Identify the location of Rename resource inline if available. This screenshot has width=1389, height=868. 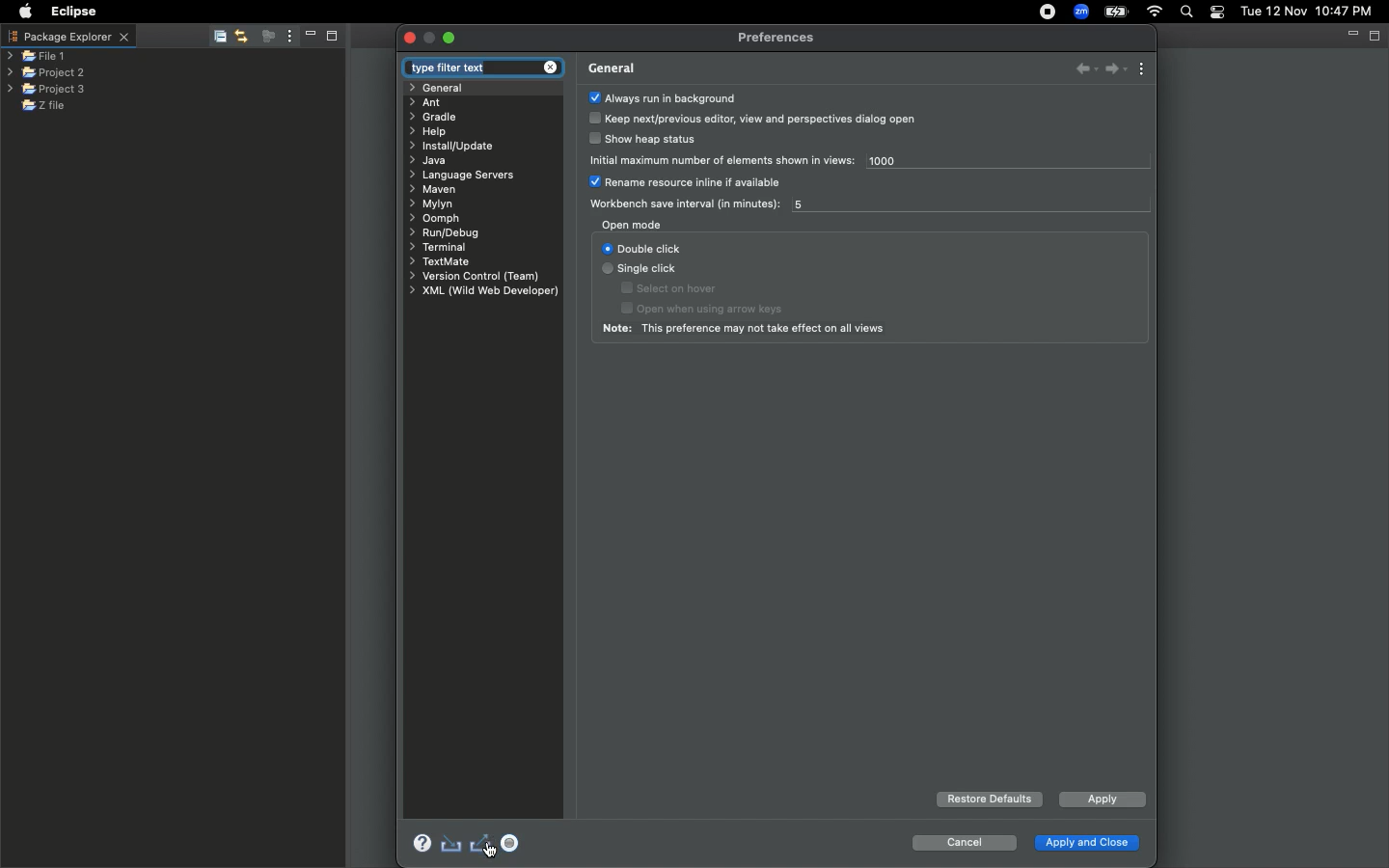
(693, 183).